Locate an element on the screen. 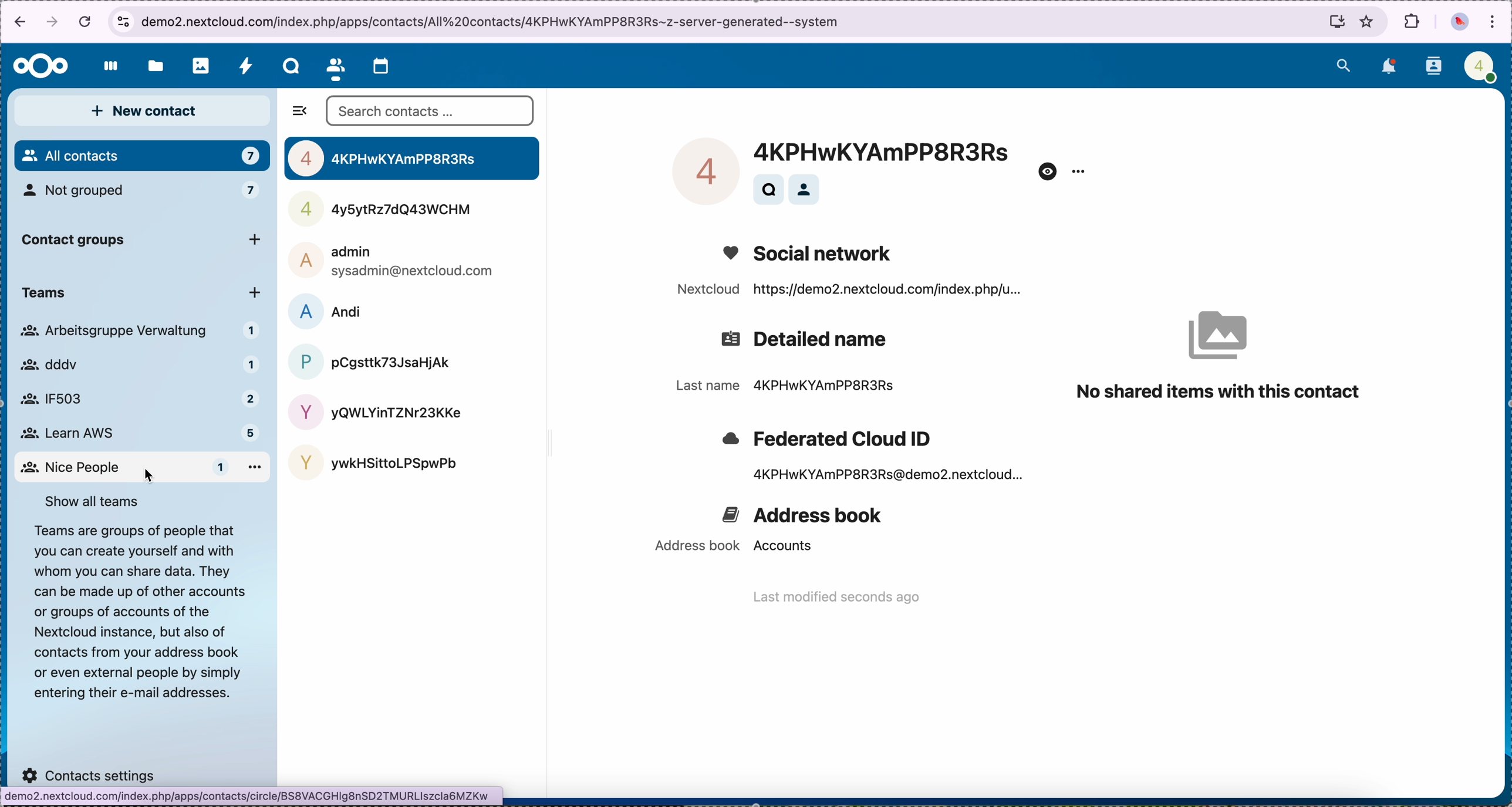  click on contacts is located at coordinates (335, 66).